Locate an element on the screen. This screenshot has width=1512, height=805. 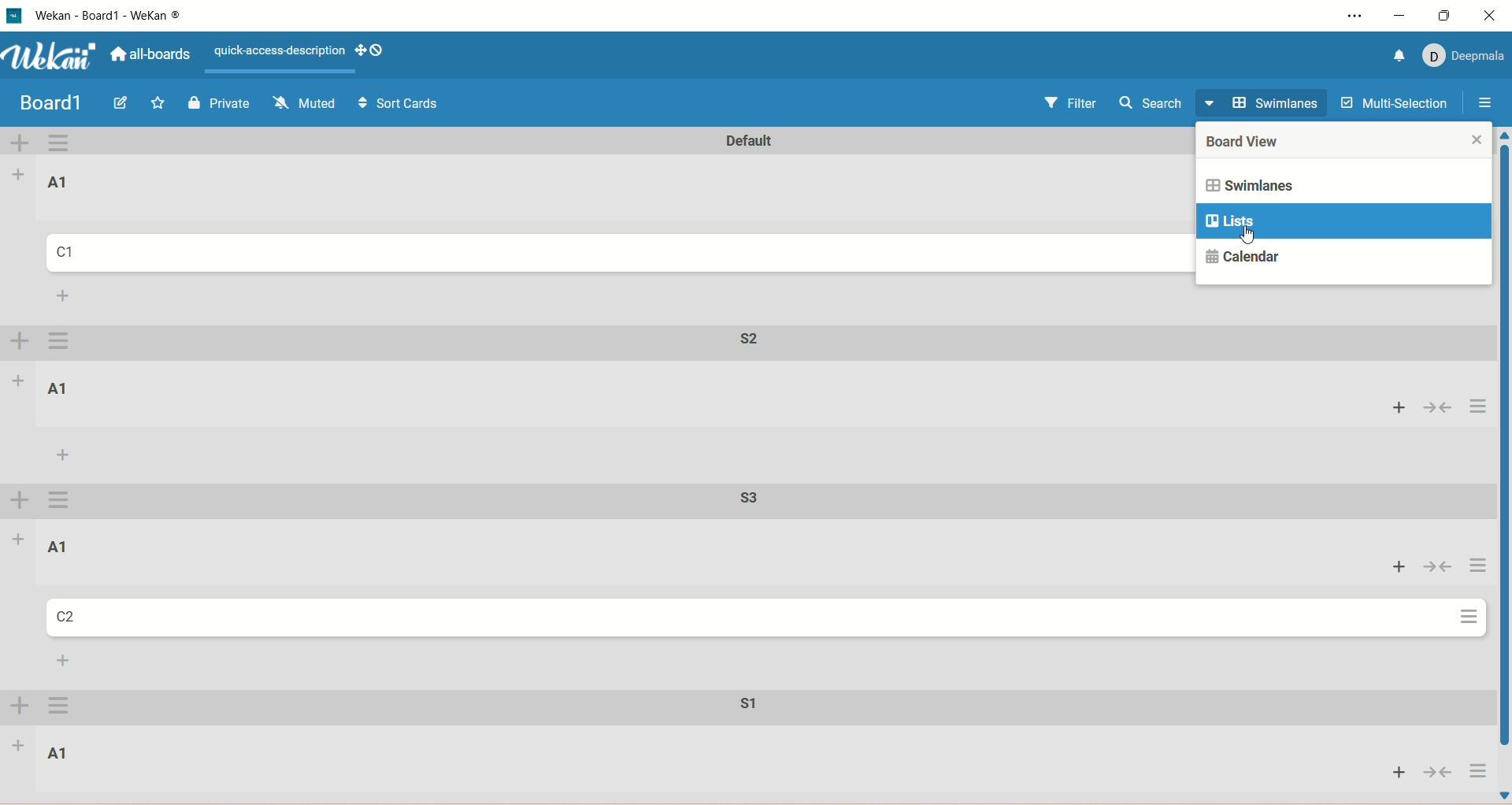
account is located at coordinates (1466, 56).